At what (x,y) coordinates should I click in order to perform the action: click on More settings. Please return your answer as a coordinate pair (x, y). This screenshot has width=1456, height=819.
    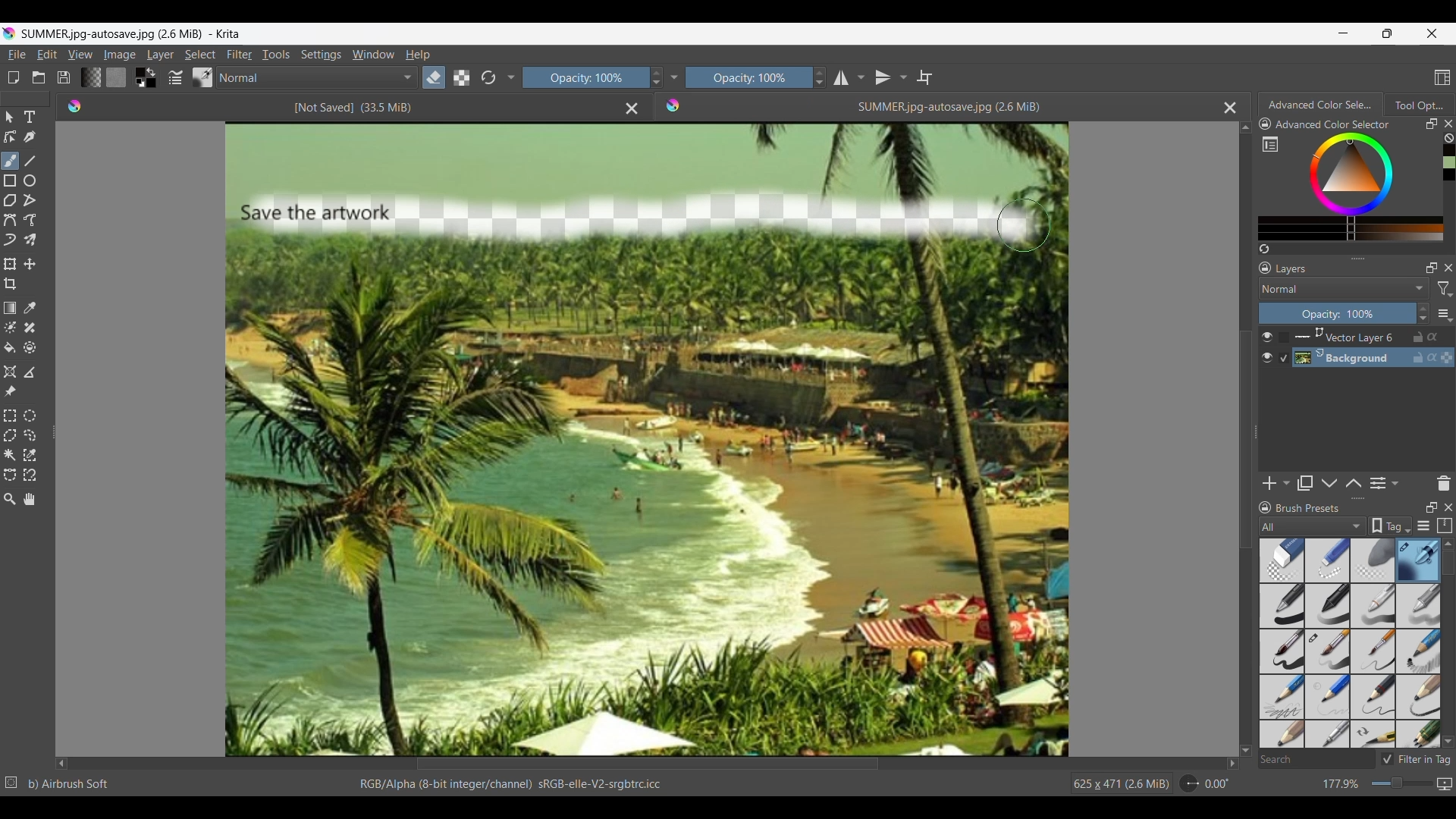
    Looking at the image, I should click on (1444, 313).